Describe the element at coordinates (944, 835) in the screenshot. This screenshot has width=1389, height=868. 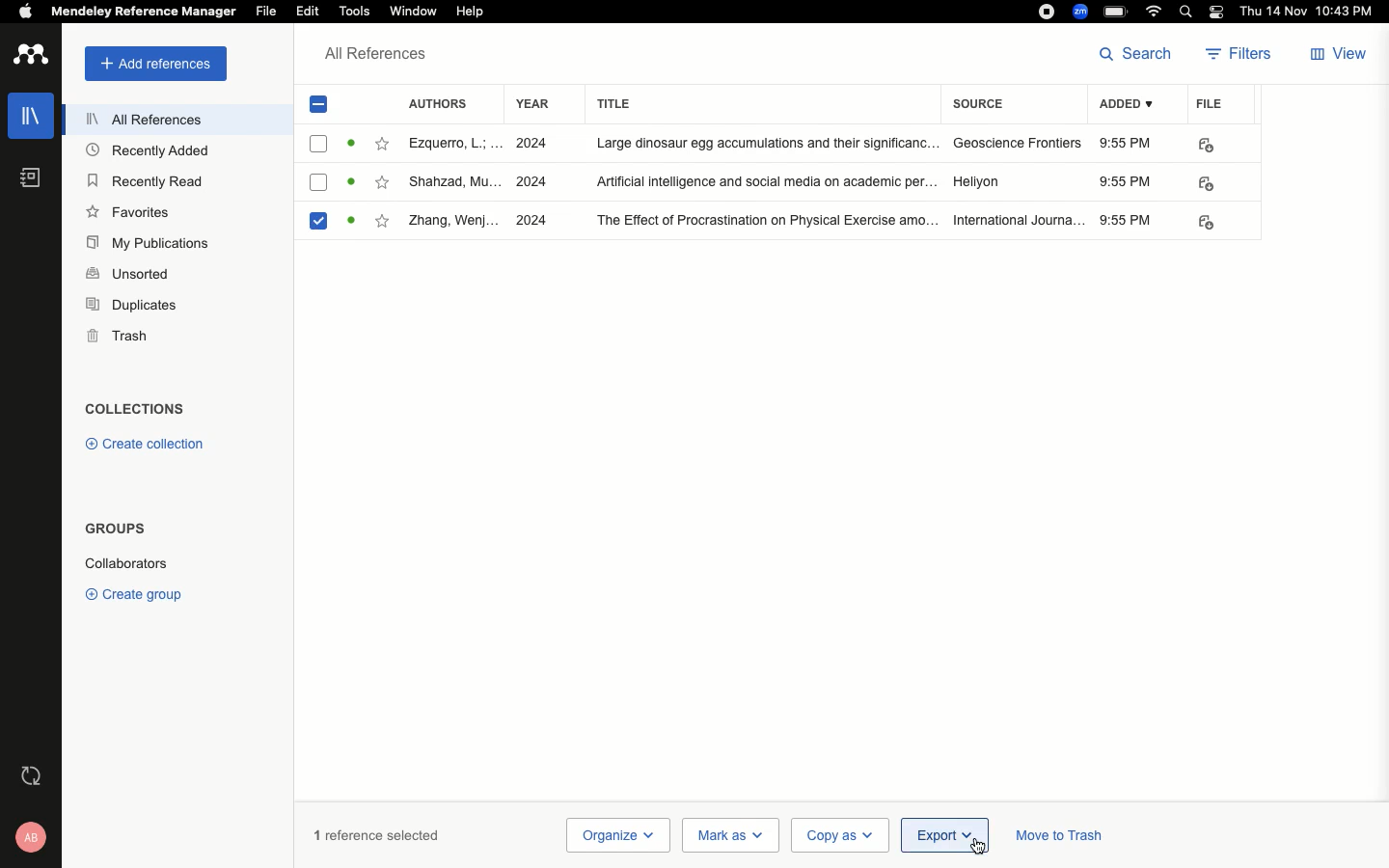
I see `Export` at that location.